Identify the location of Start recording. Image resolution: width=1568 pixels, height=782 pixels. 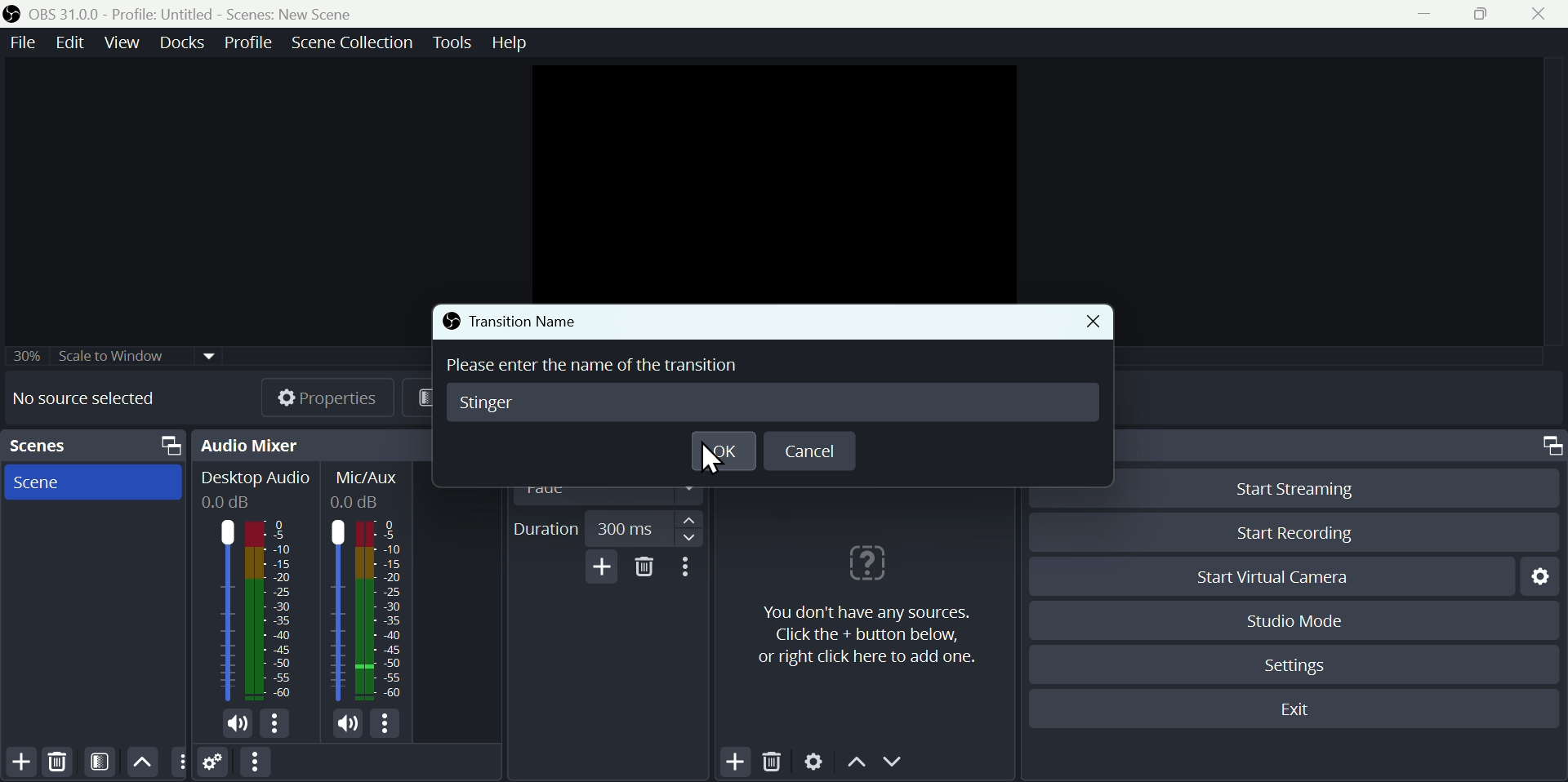
(1291, 535).